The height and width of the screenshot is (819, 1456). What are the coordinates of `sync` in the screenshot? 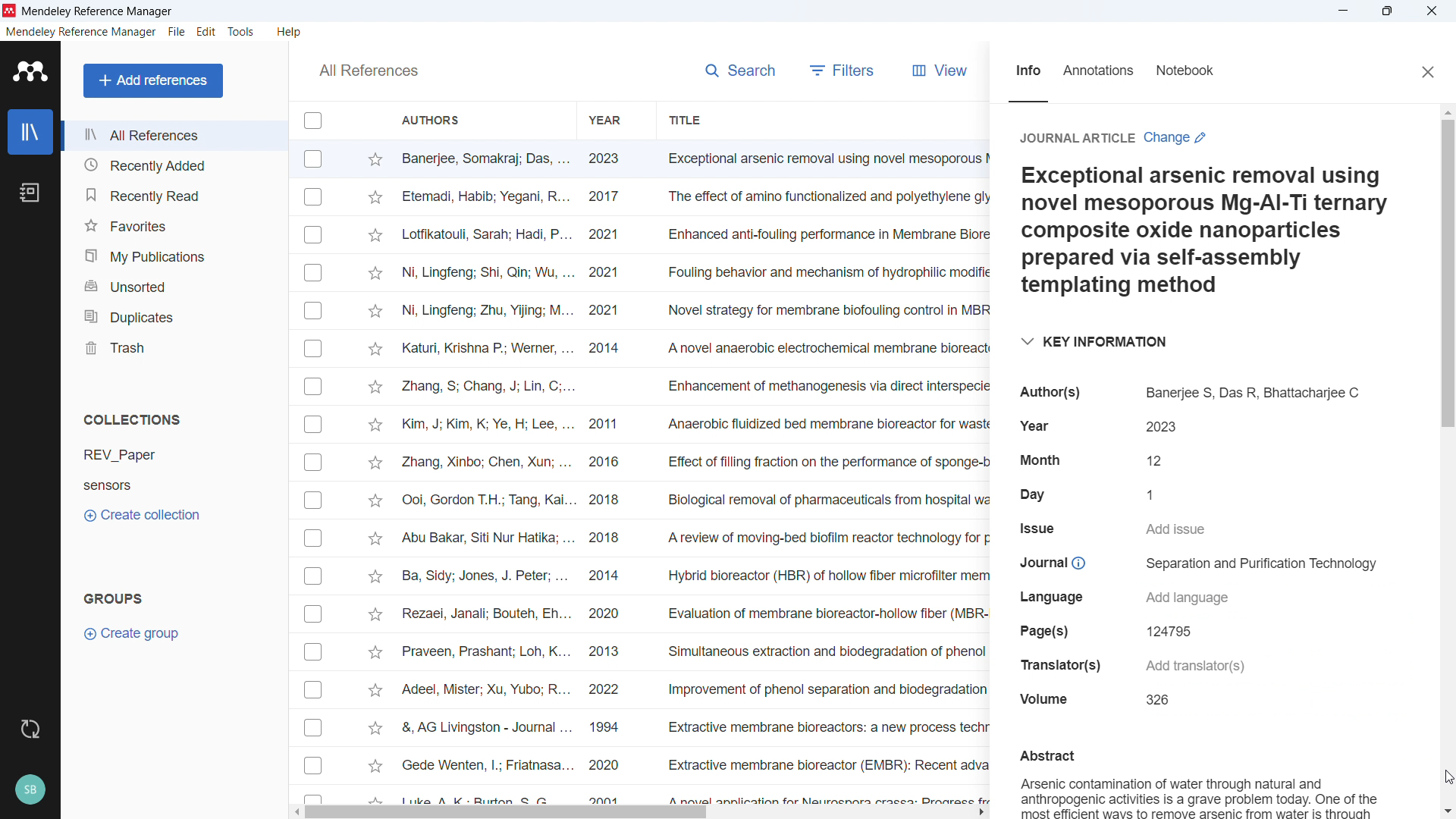 It's located at (30, 730).